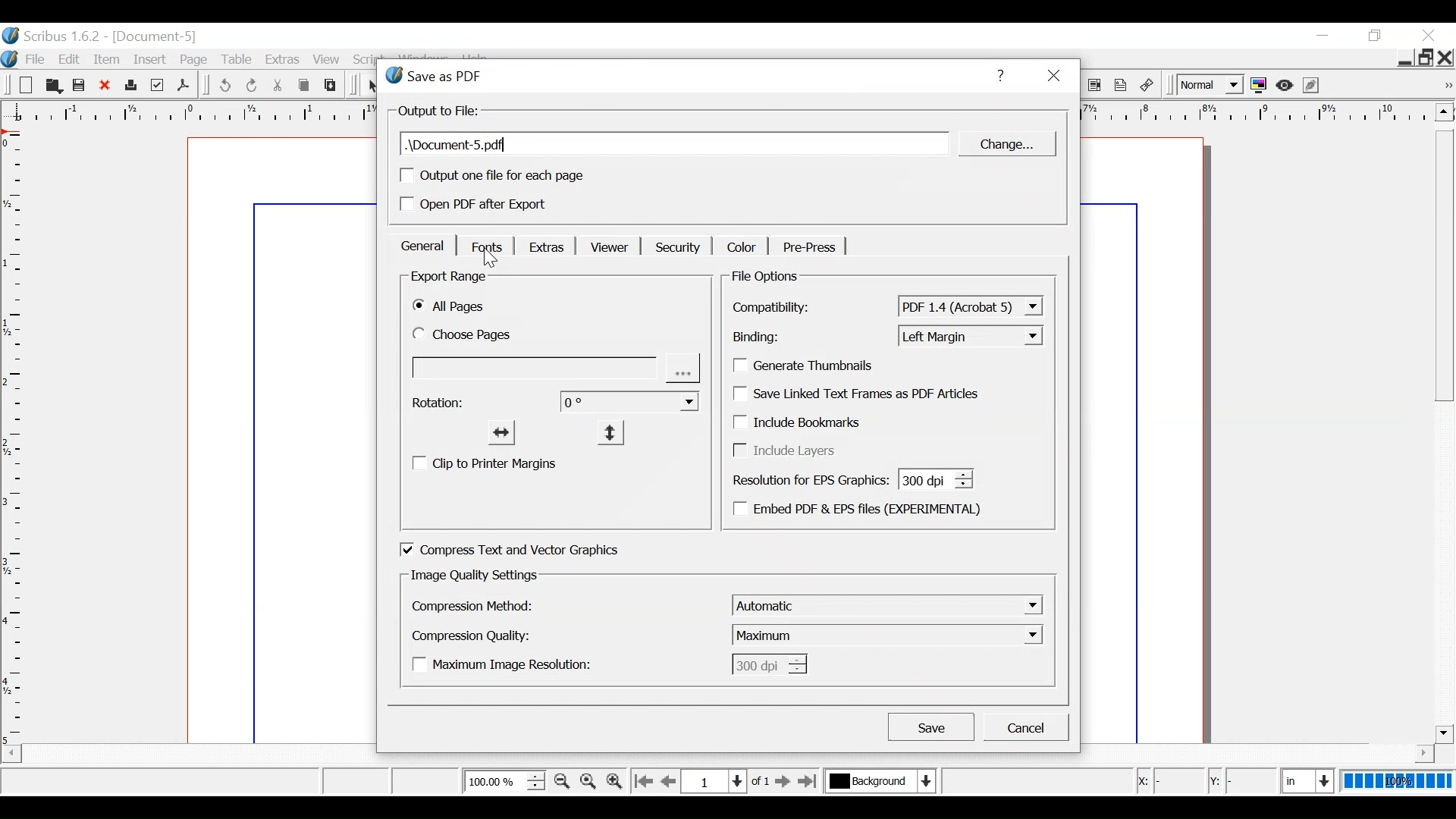 This screenshot has height=819, width=1456. What do you see at coordinates (889, 634) in the screenshot?
I see `Compression quality dropdown menu` at bounding box center [889, 634].